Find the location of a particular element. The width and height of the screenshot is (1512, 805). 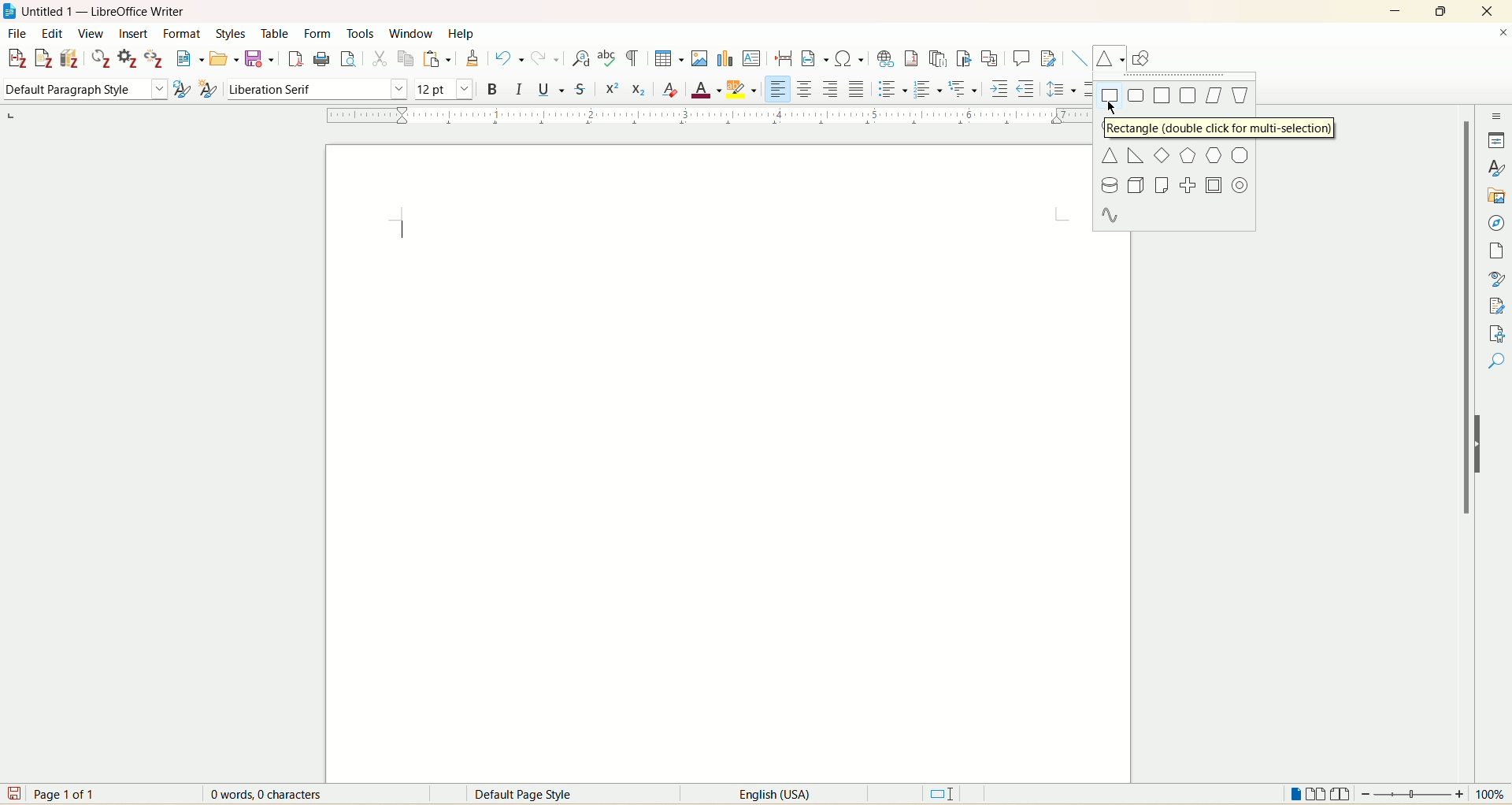

isosceles triangle is located at coordinates (1111, 155).